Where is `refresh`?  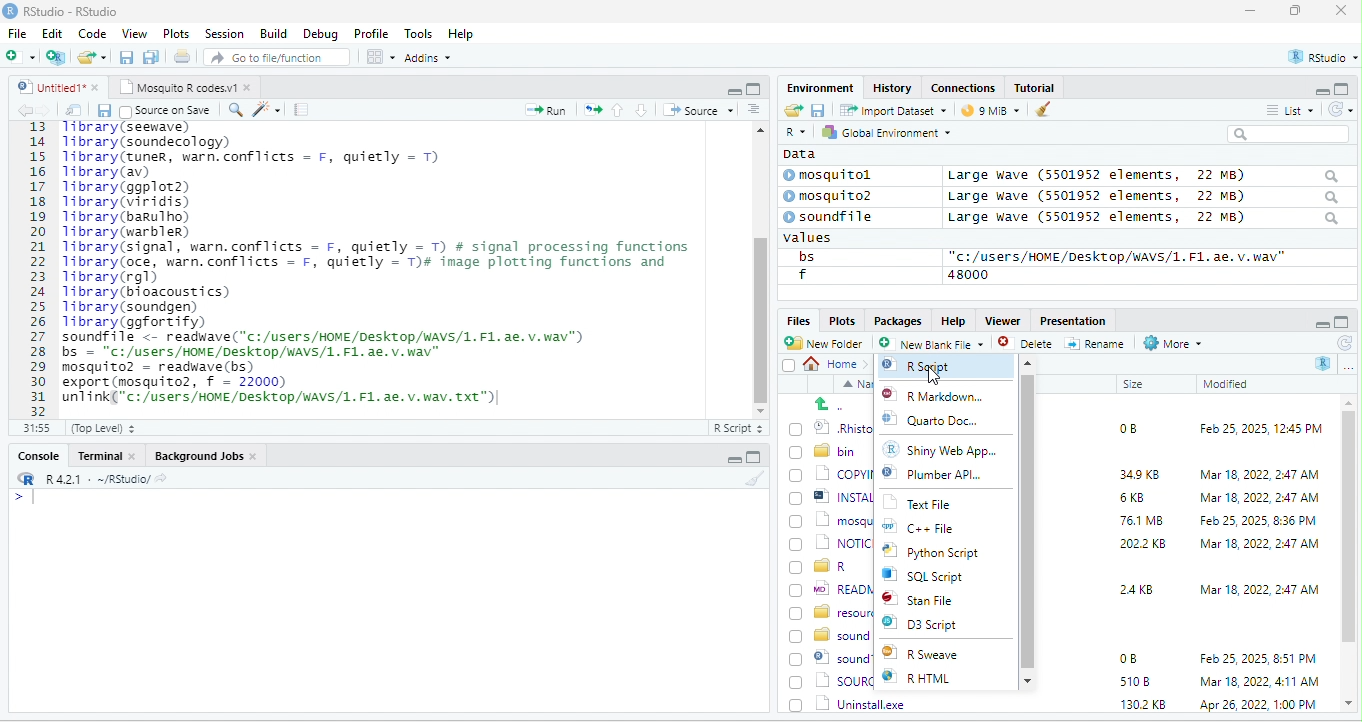 refresh is located at coordinates (1343, 343).